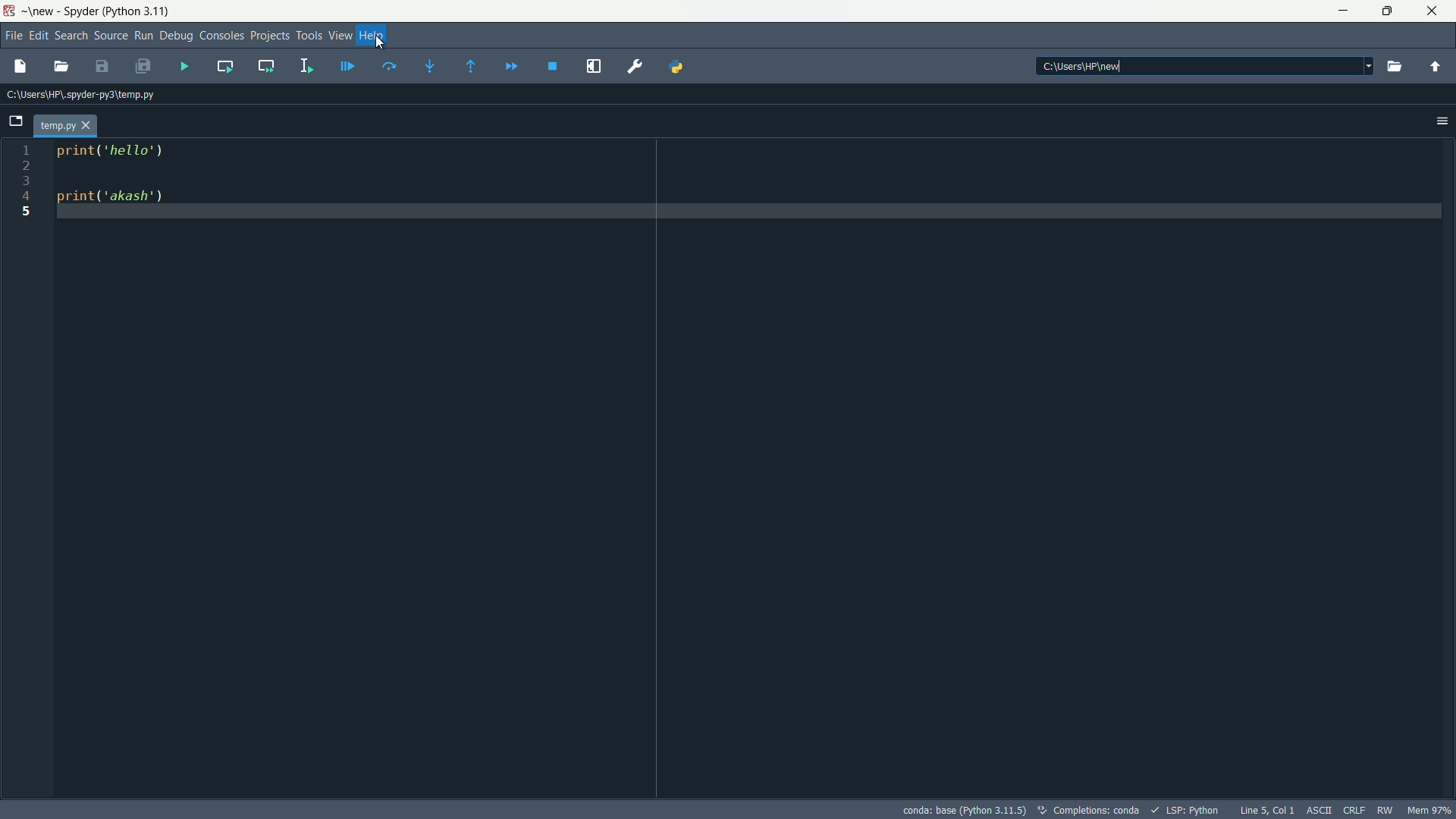 The image size is (1456, 819). I want to click on run menu, so click(143, 36).